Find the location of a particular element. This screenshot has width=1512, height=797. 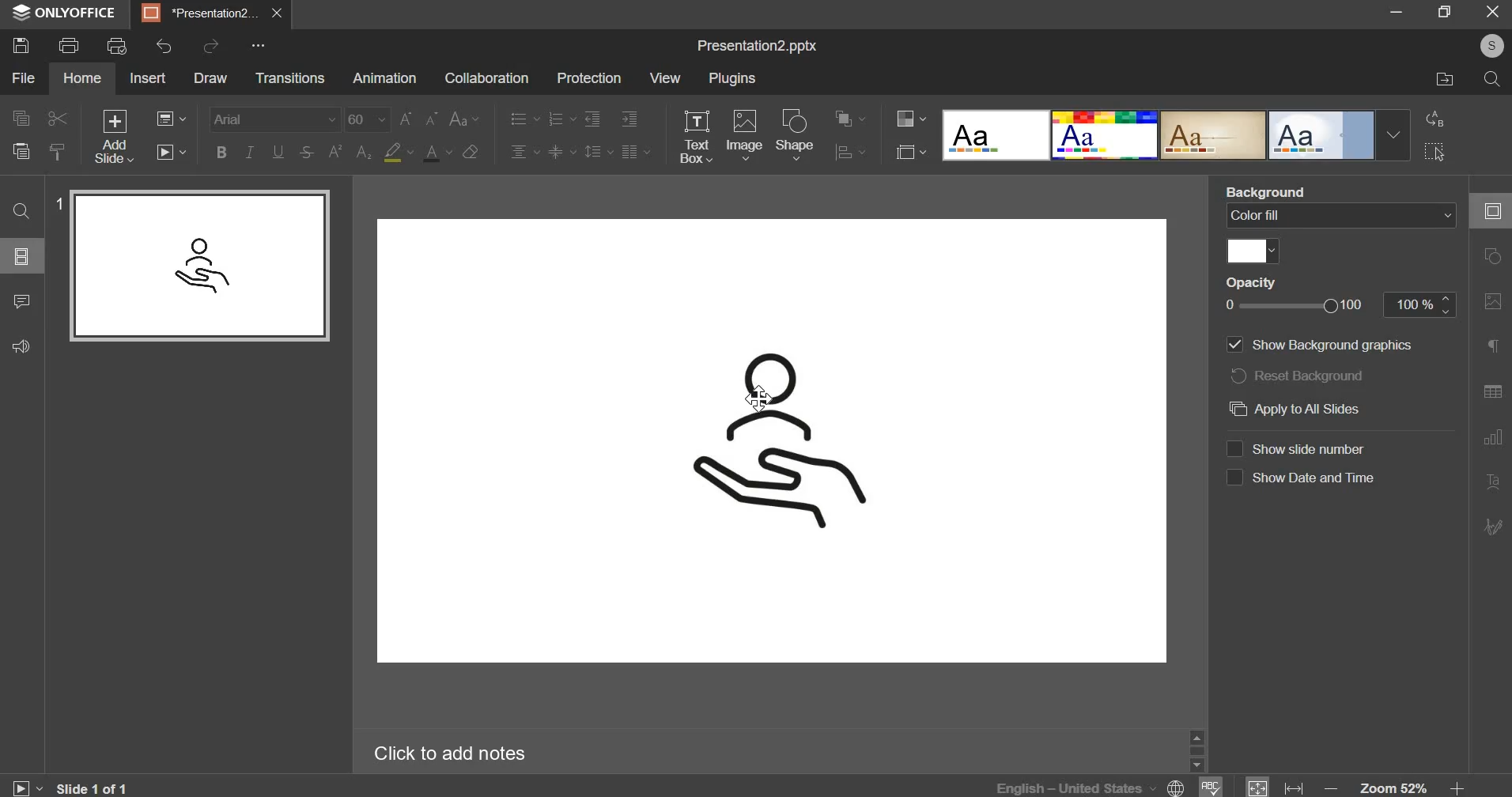

shapes is located at coordinates (1491, 259).